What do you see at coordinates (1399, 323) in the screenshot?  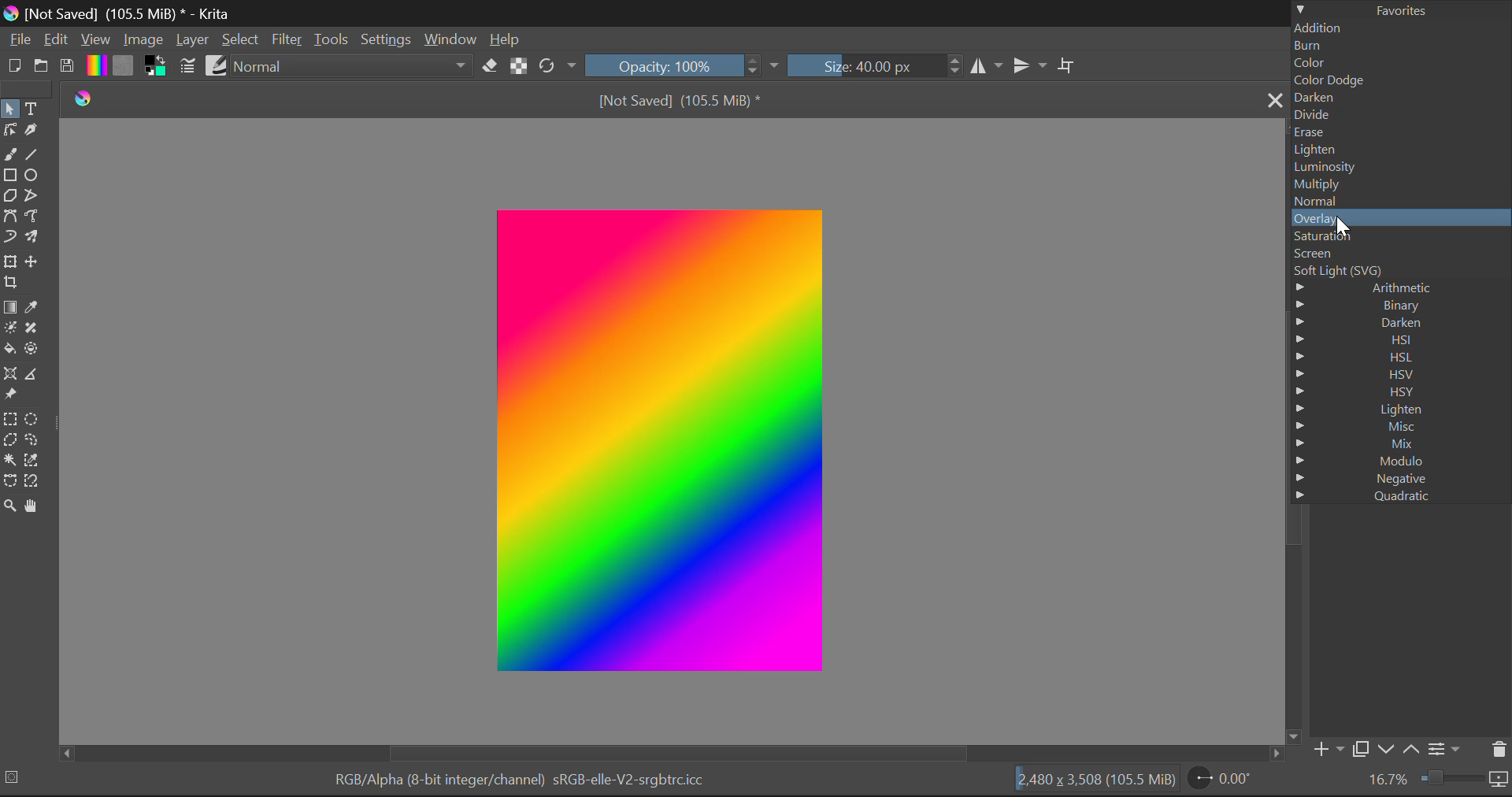 I see `Darken` at bounding box center [1399, 323].